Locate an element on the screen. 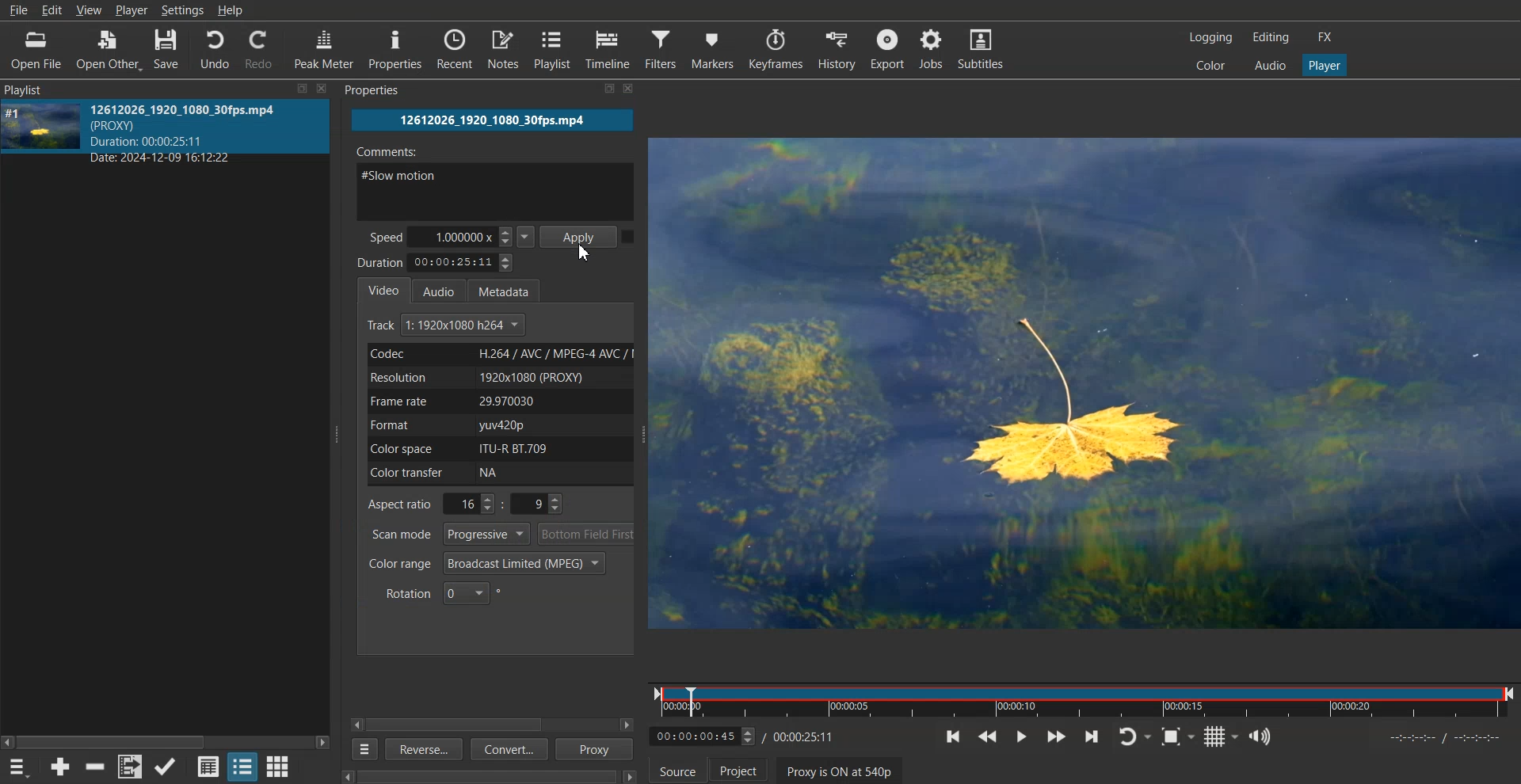 The width and height of the screenshot is (1521, 784). Color range Broadcast limited is located at coordinates (486, 563).